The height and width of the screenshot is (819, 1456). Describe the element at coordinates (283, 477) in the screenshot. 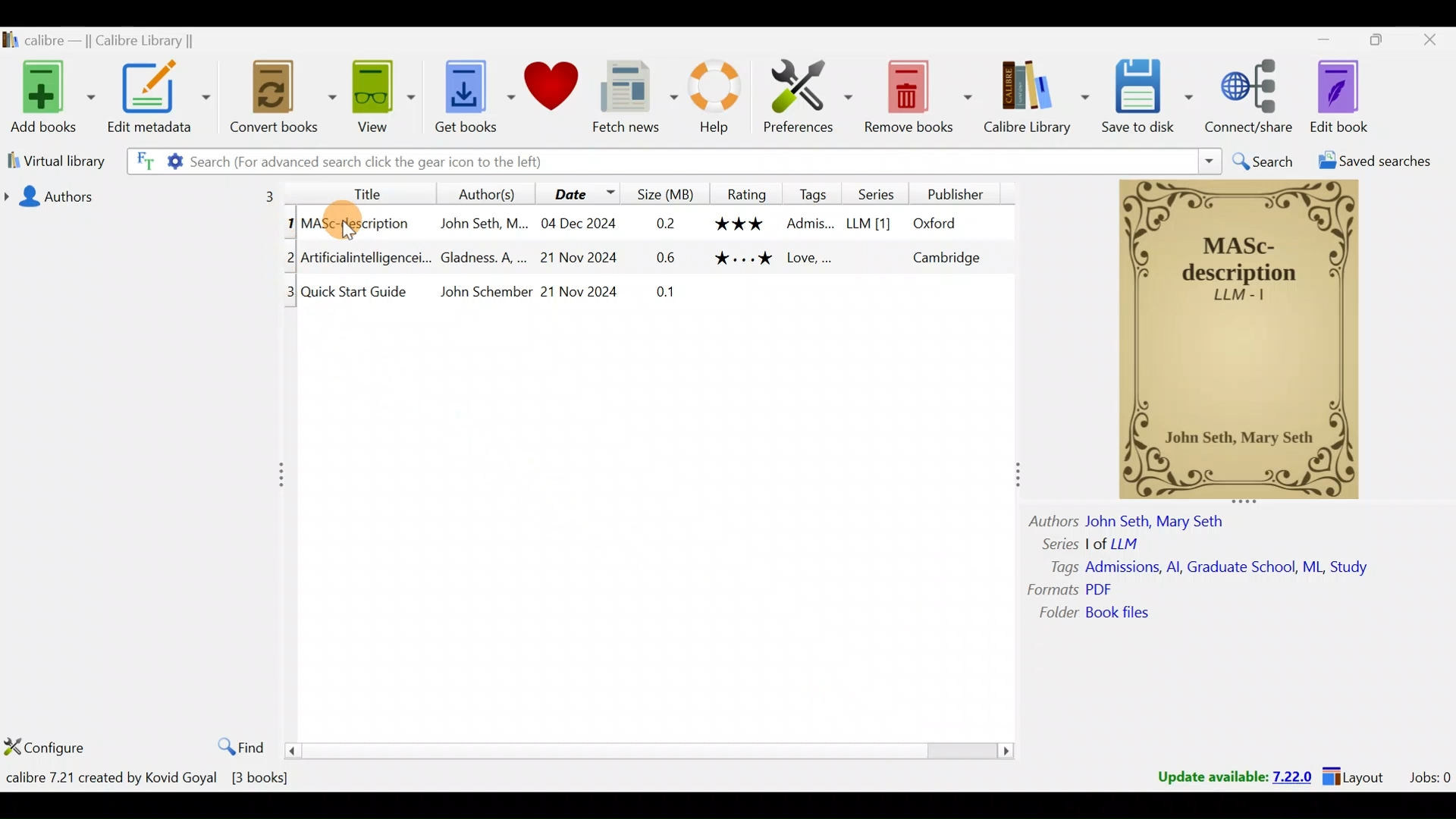

I see `` at that location.